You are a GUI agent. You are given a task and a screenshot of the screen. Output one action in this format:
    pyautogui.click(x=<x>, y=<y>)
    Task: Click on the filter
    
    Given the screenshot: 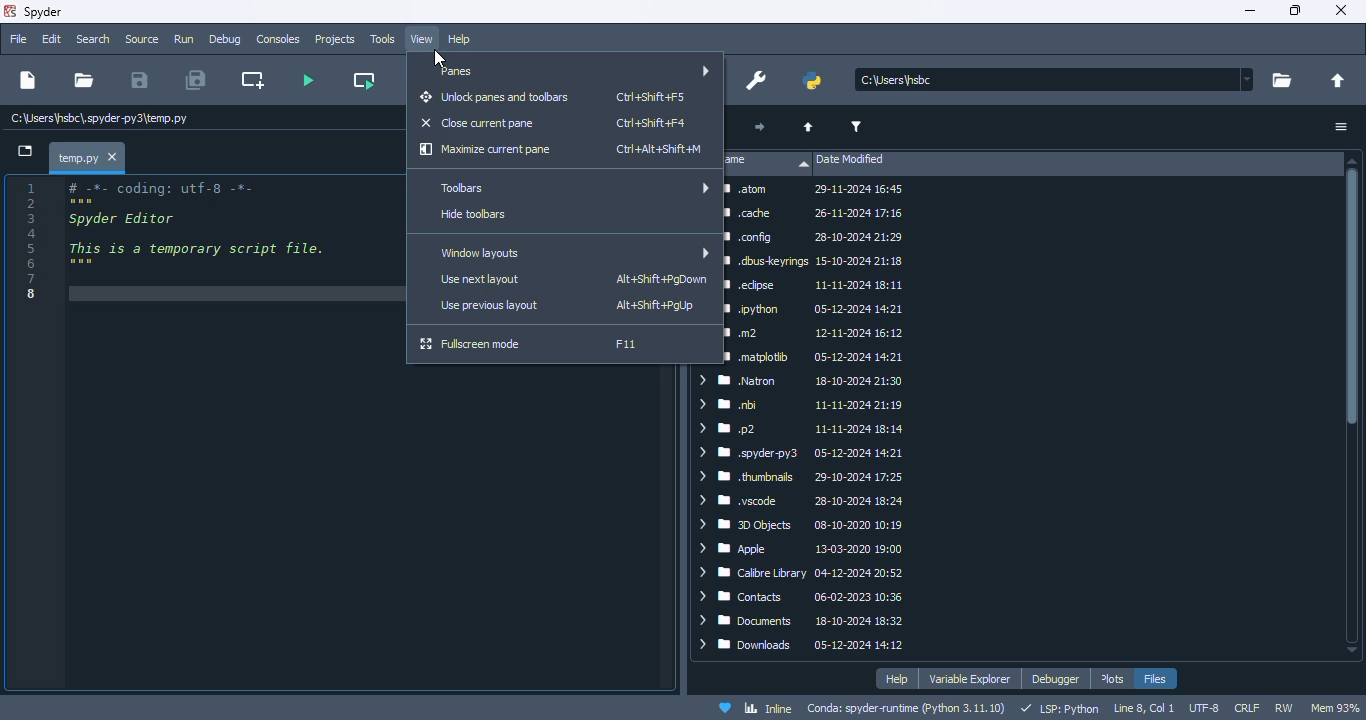 What is the action you would take?
    pyautogui.click(x=856, y=127)
    